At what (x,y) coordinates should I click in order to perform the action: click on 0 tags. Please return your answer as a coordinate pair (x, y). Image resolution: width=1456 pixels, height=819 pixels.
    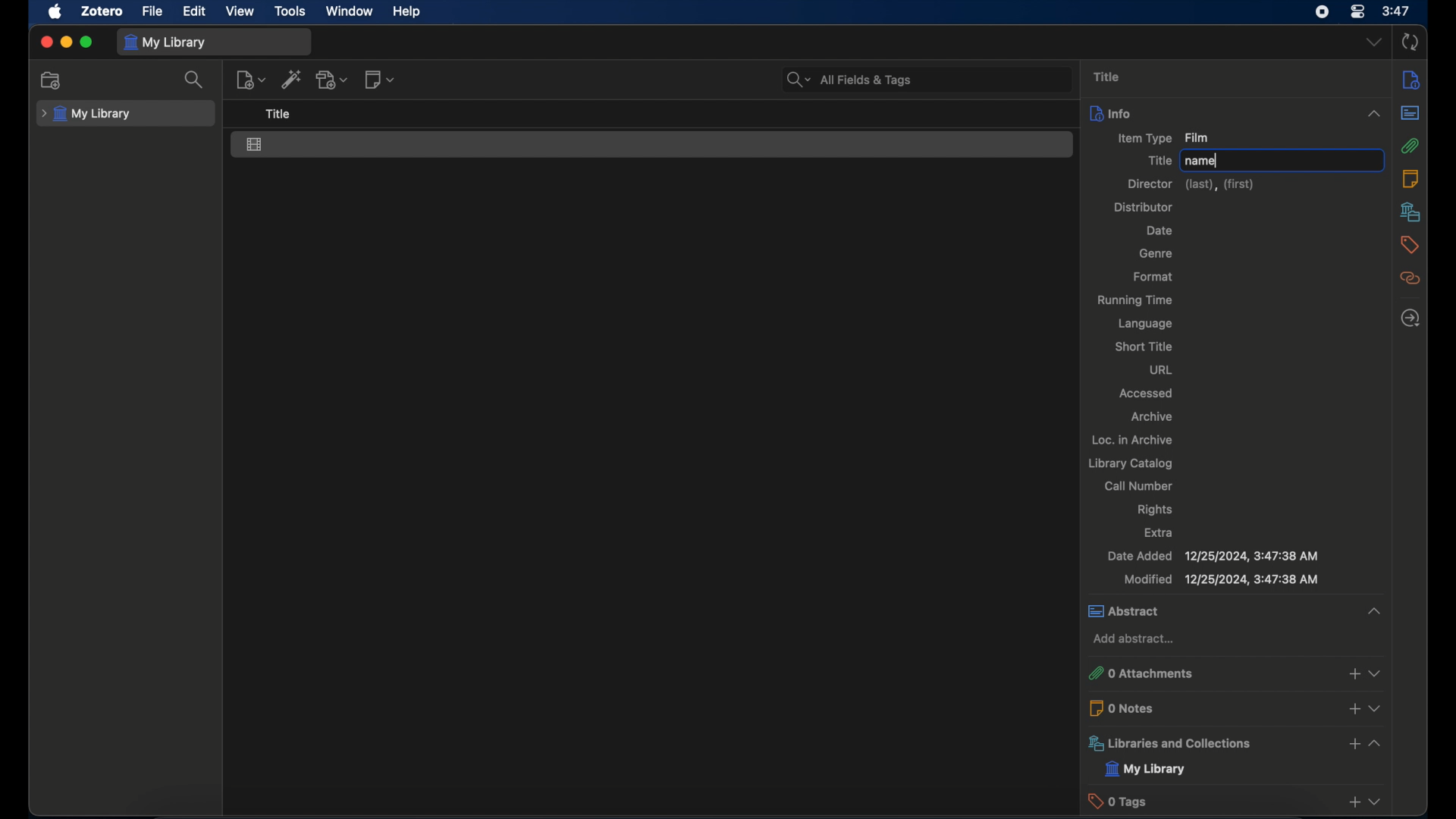
    Looking at the image, I should click on (1203, 800).